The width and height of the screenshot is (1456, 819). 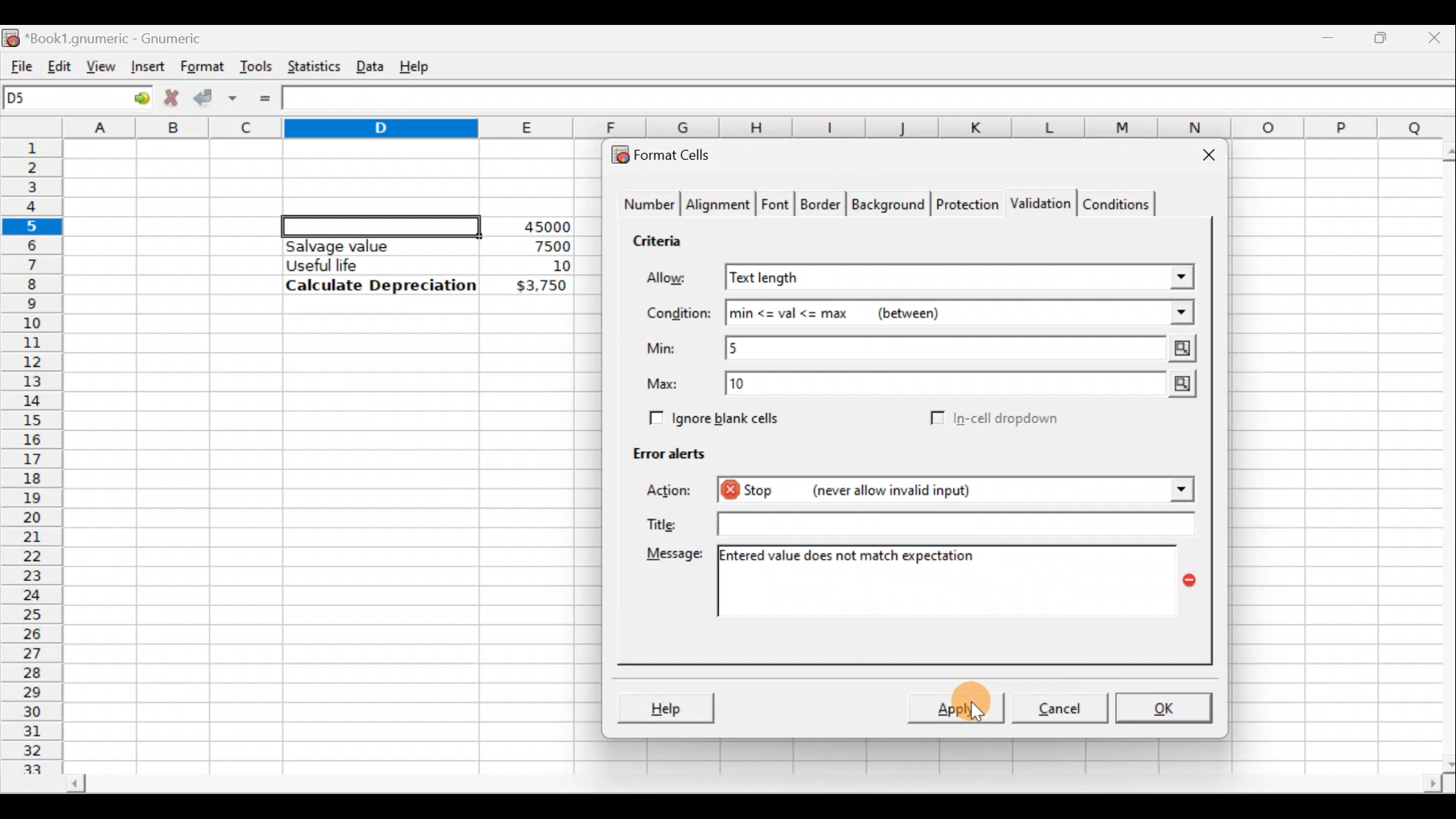 I want to click on $3,750, so click(x=540, y=287).